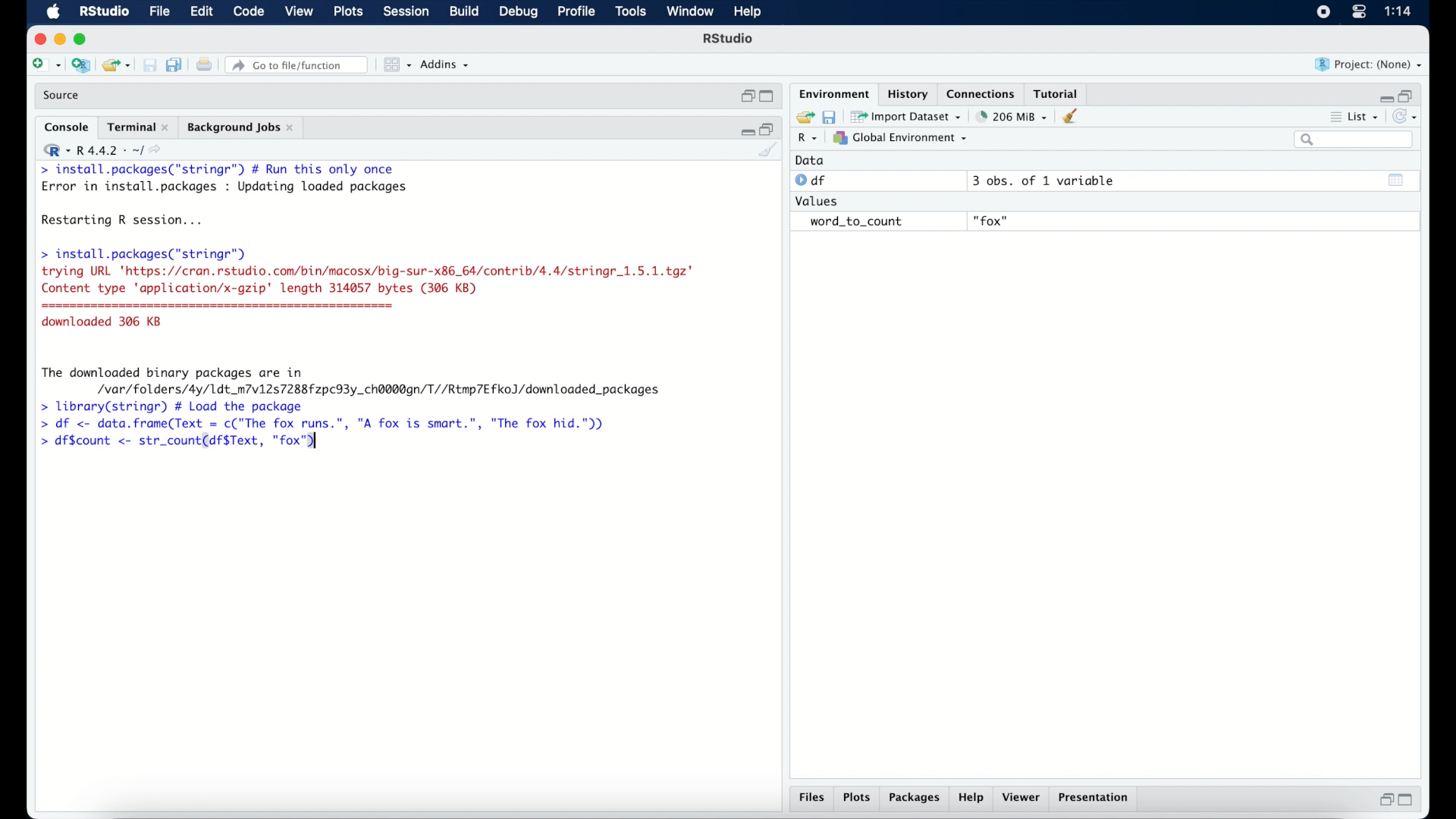 This screenshot has height=819, width=1456. I want to click on plots, so click(857, 799).